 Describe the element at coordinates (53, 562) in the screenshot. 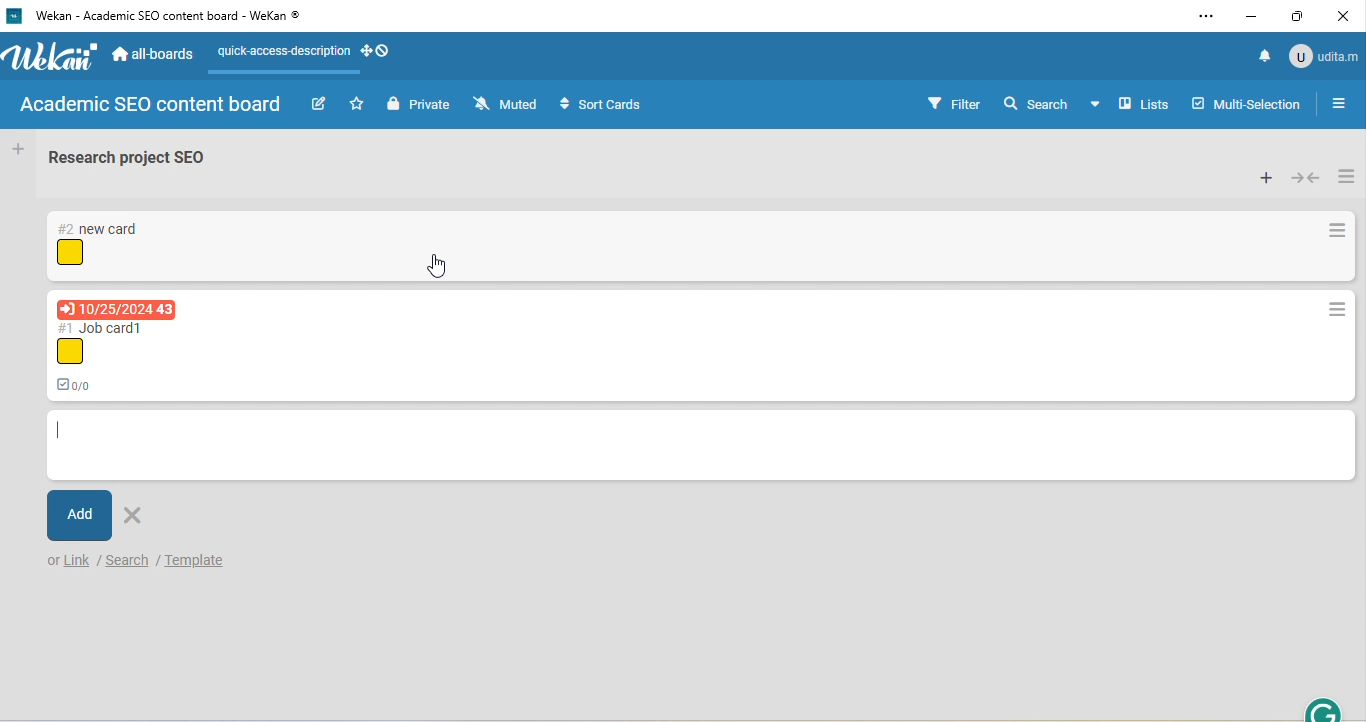

I see `or` at that location.